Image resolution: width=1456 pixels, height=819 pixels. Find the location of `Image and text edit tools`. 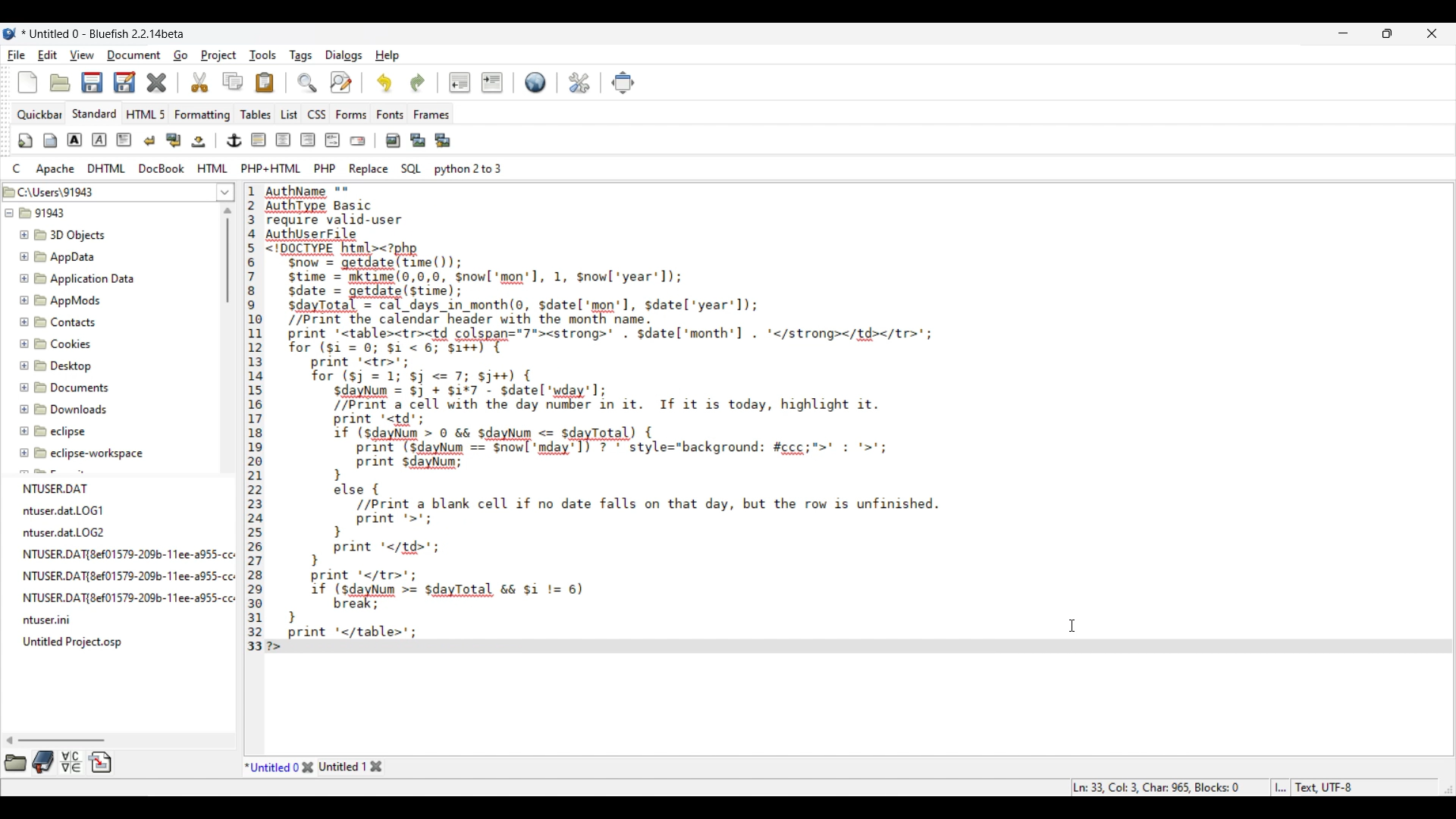

Image and text edit tools is located at coordinates (237, 140).